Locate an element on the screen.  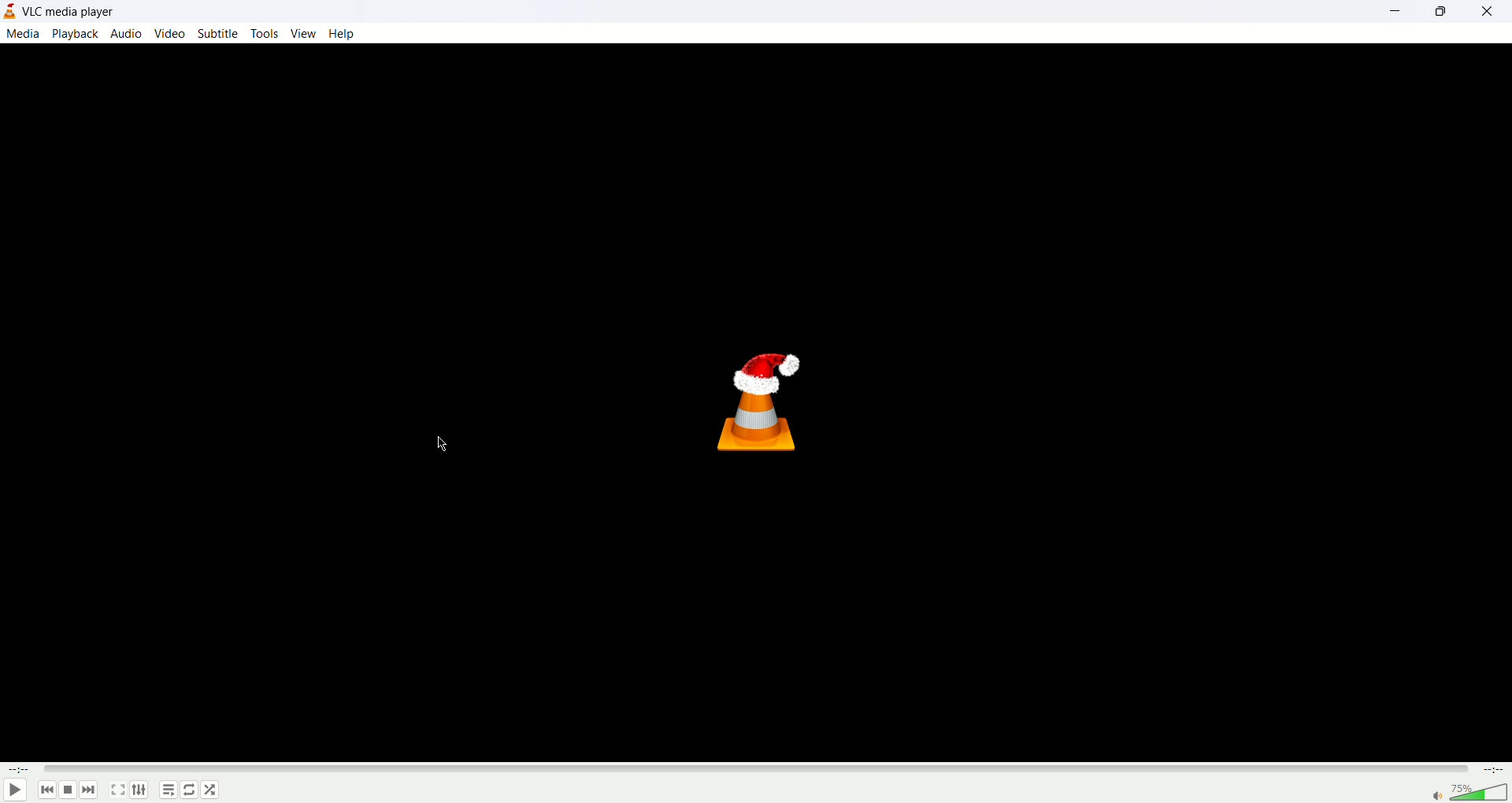
Icon is located at coordinates (758, 402).